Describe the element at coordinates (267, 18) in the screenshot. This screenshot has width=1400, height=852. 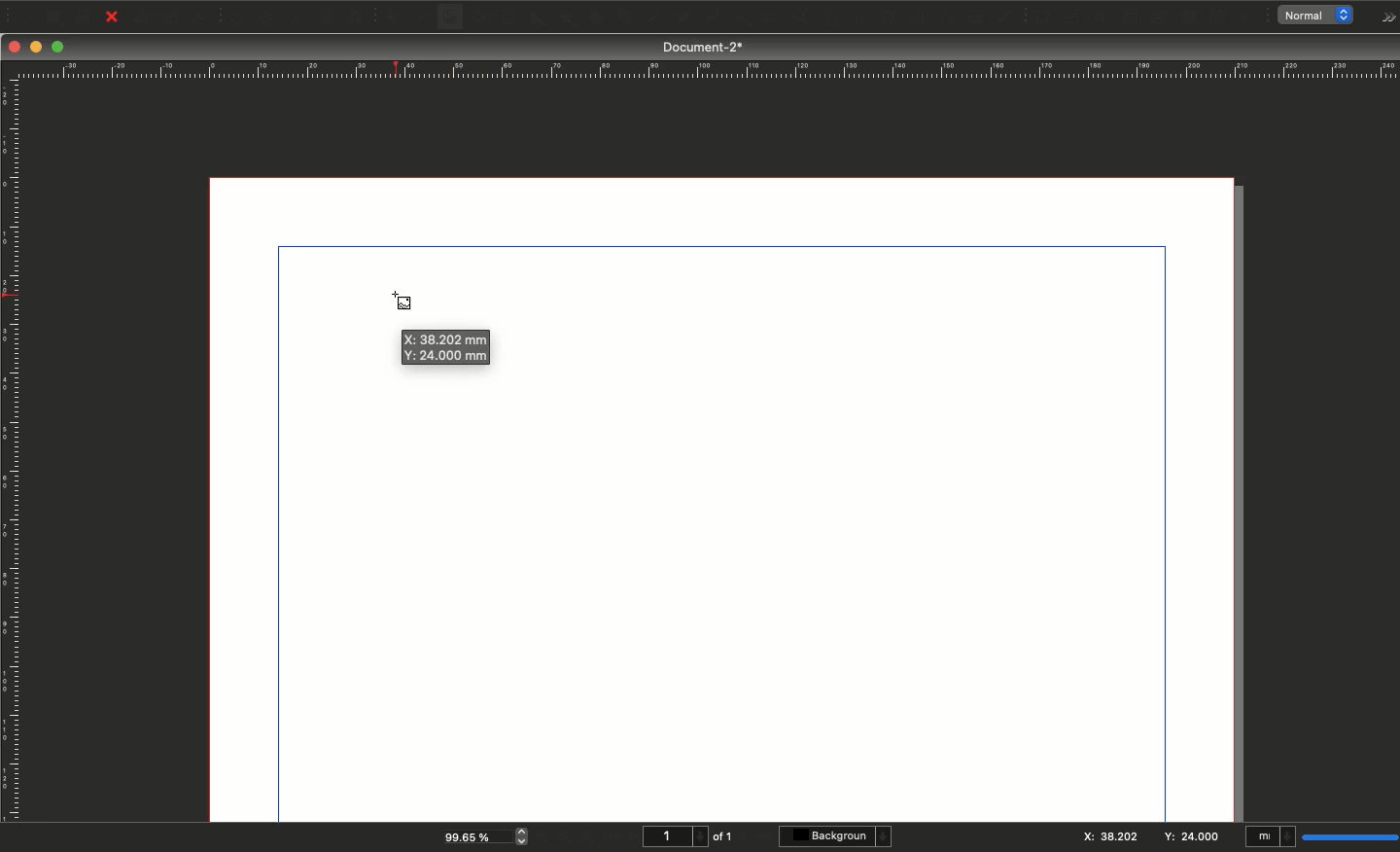
I see `Redo` at that location.